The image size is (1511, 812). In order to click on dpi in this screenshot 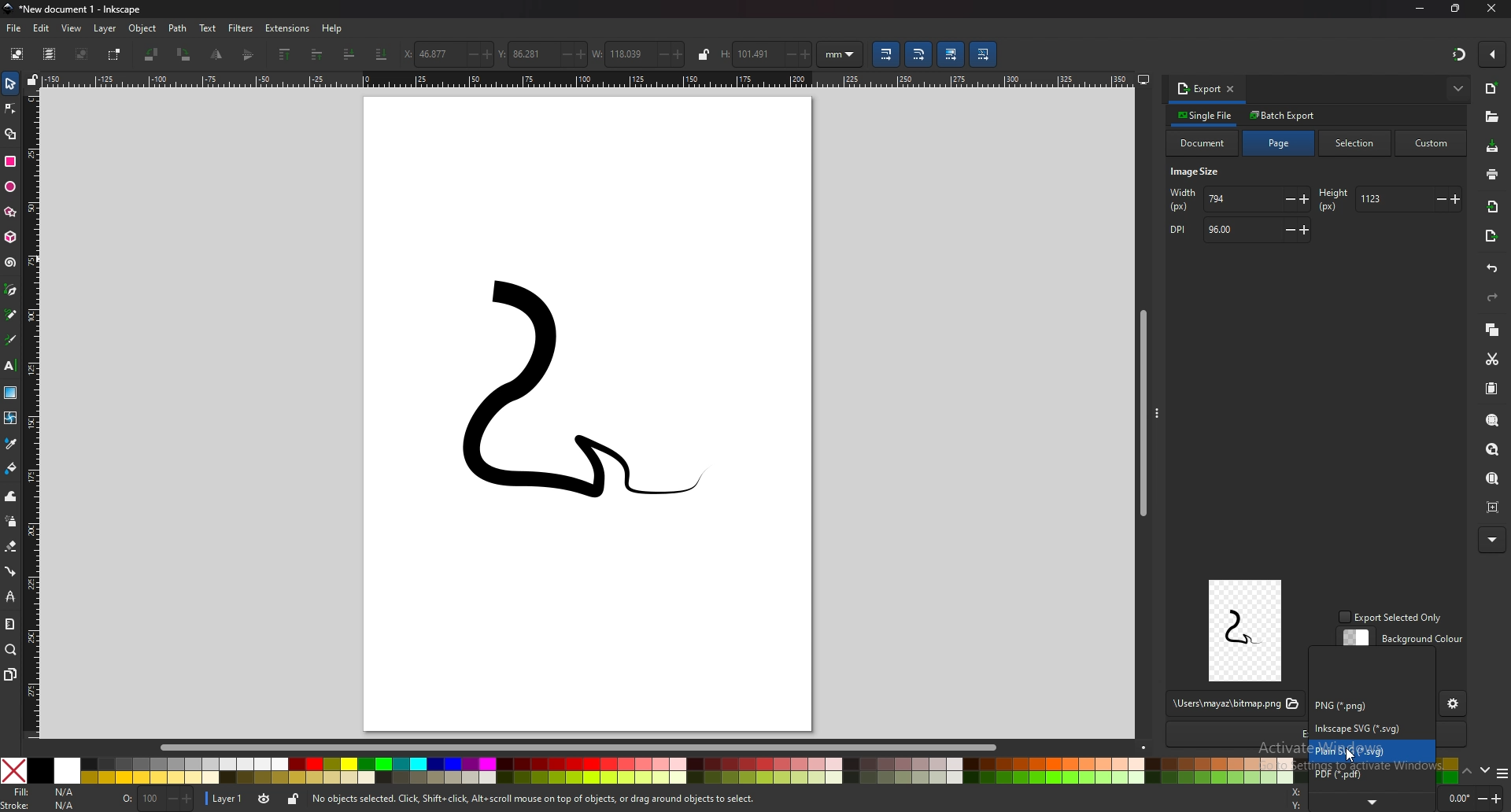, I will do `click(1238, 231)`.